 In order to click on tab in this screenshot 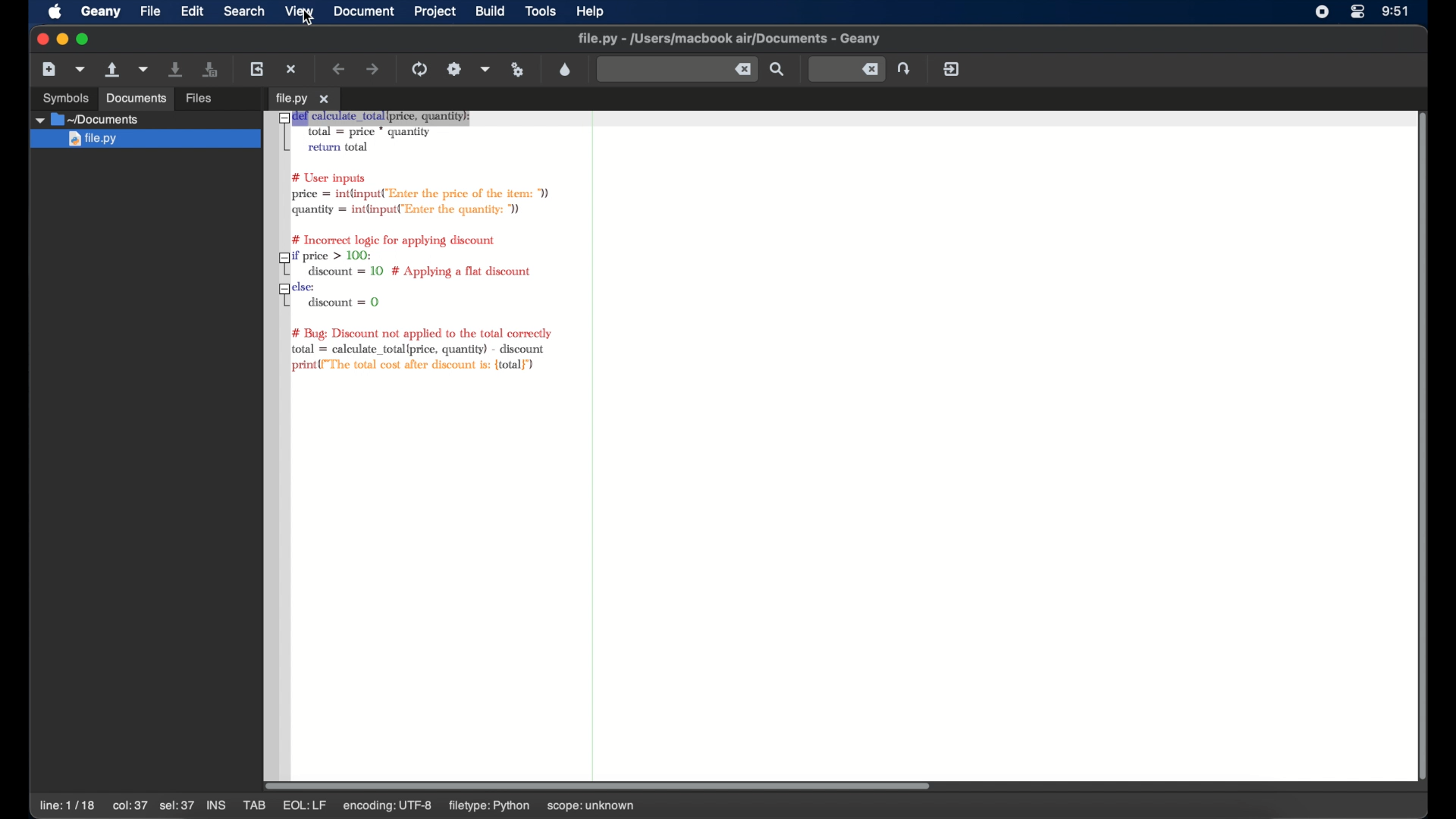, I will do `click(304, 97)`.